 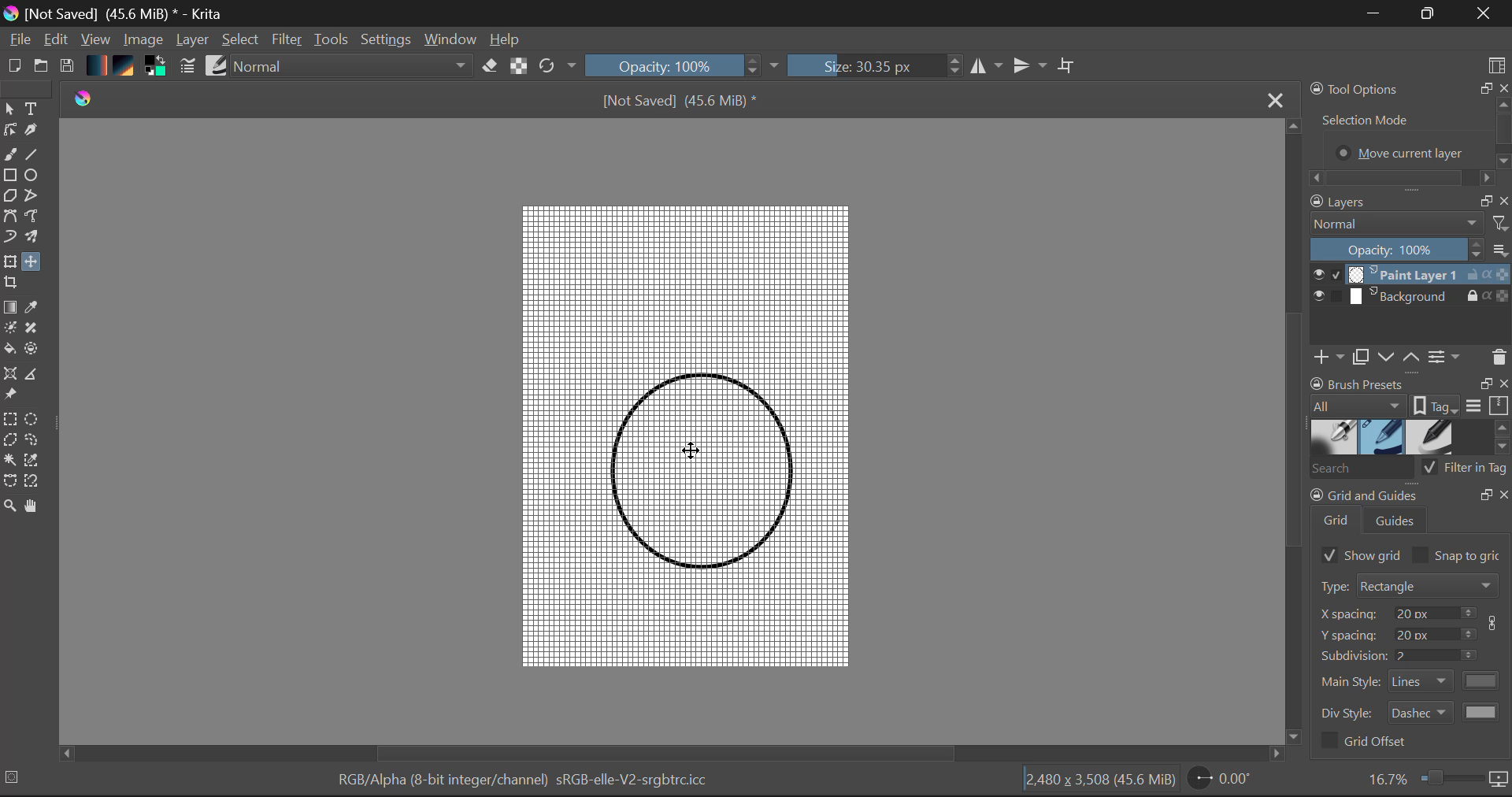 I want to click on Brush Presets Docket Tab, so click(x=1410, y=395).